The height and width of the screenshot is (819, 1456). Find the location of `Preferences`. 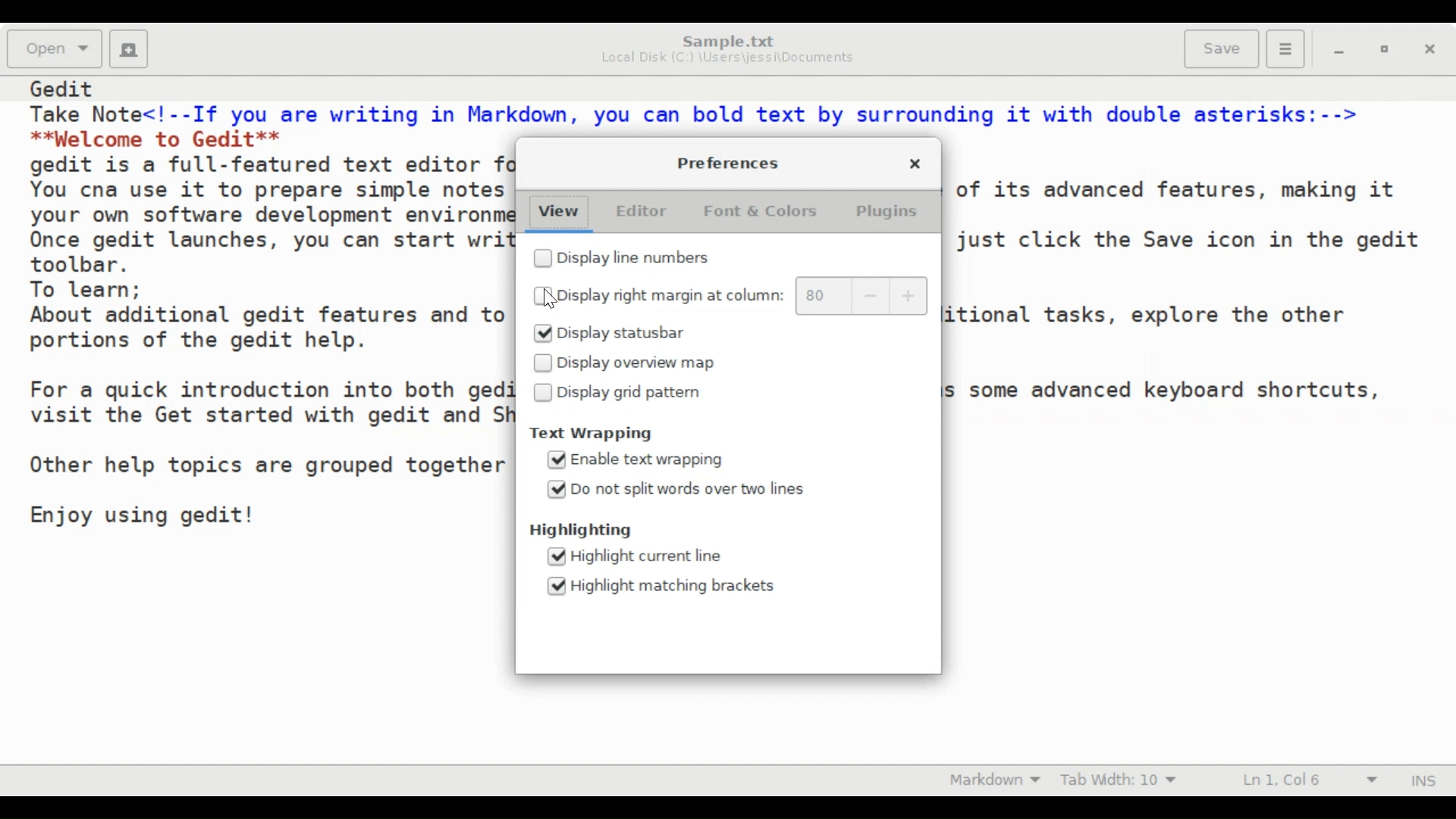

Preferences is located at coordinates (730, 162).